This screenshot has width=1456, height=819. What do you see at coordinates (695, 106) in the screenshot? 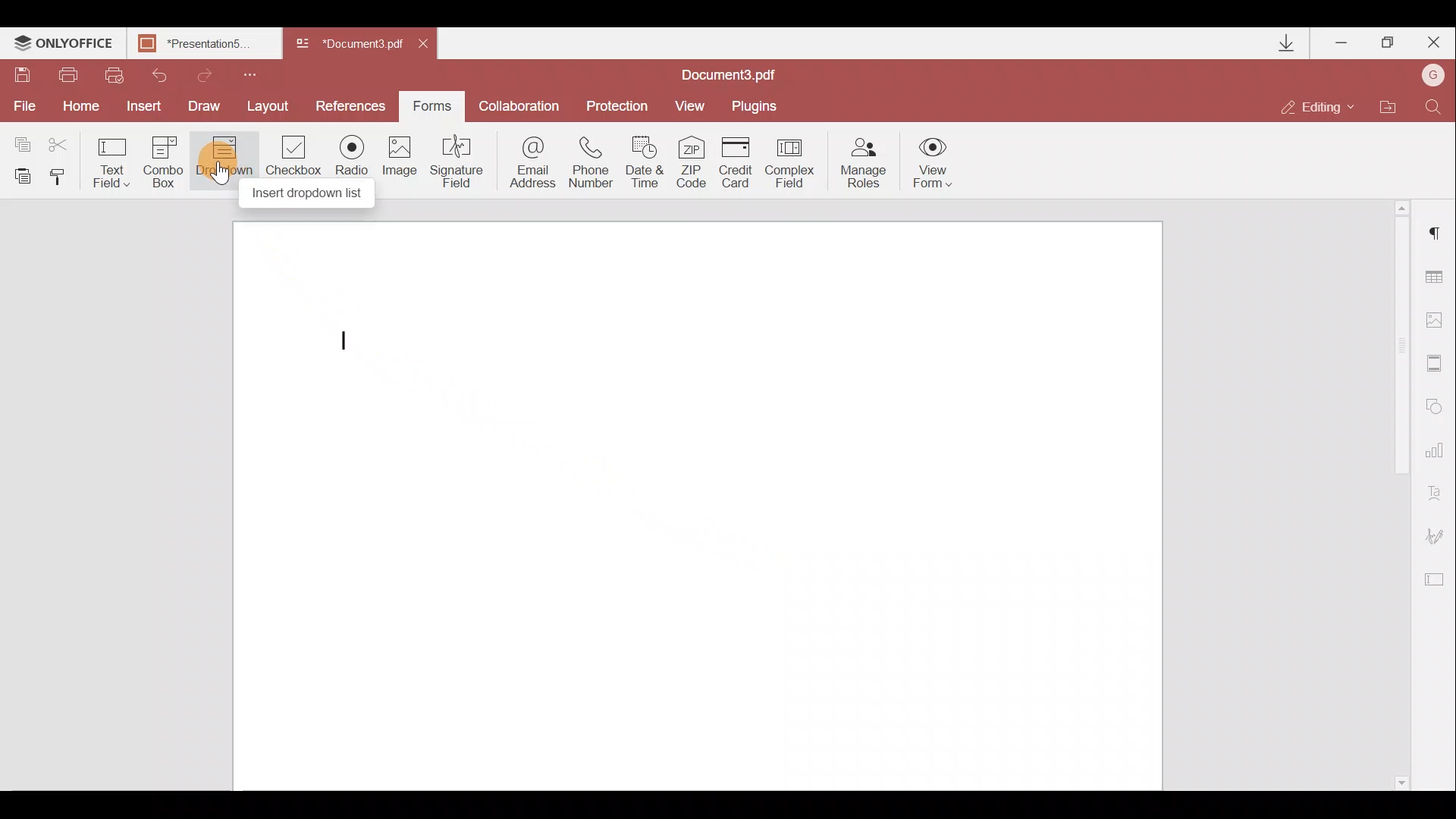
I see `View` at bounding box center [695, 106].